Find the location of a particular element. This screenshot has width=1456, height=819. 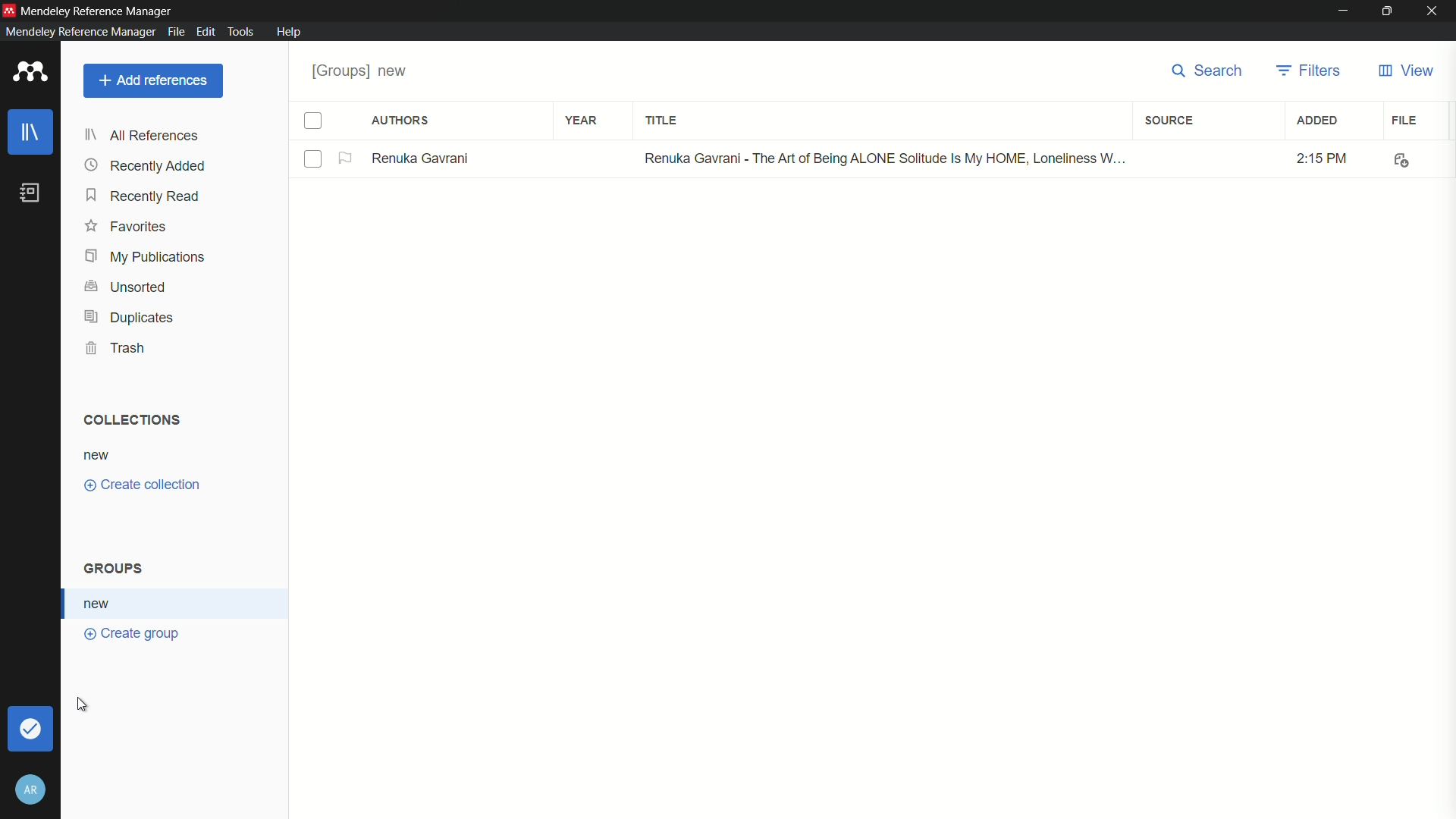

create group is located at coordinates (133, 633).